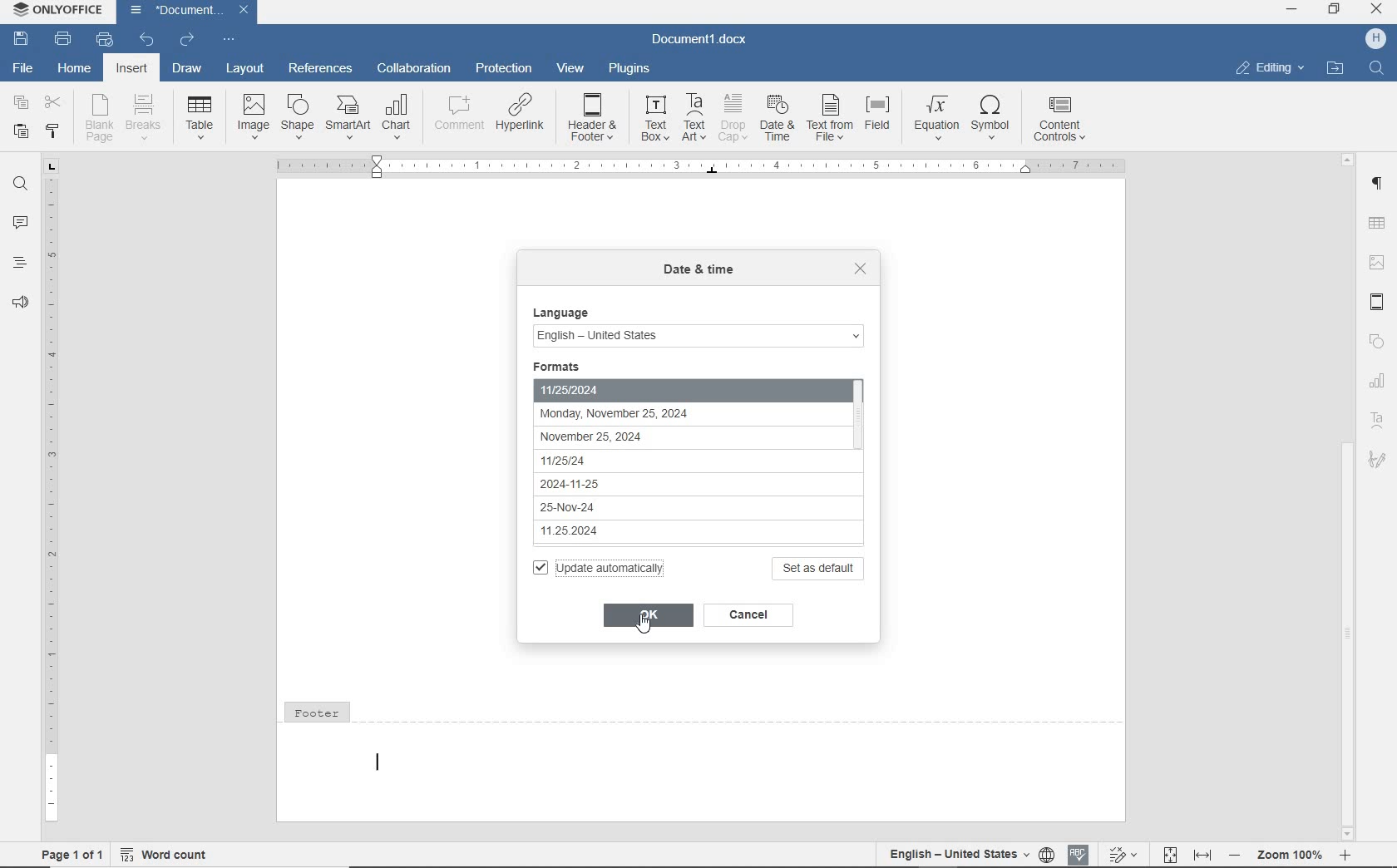 The width and height of the screenshot is (1397, 868). Describe the element at coordinates (519, 111) in the screenshot. I see `hyperlink` at that location.